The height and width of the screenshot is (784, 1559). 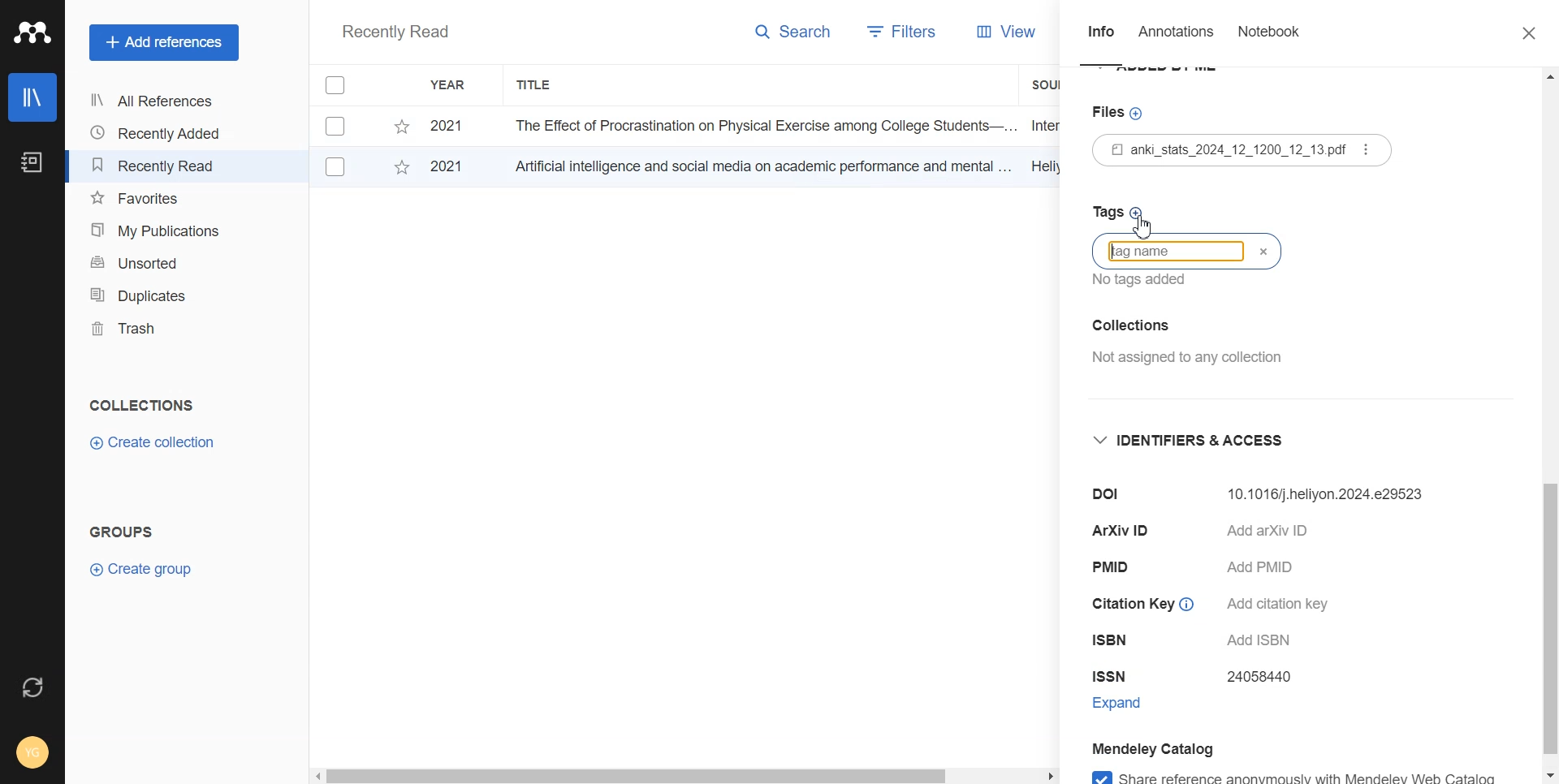 I want to click on Citation Key © Add citation key, so click(x=1217, y=604).